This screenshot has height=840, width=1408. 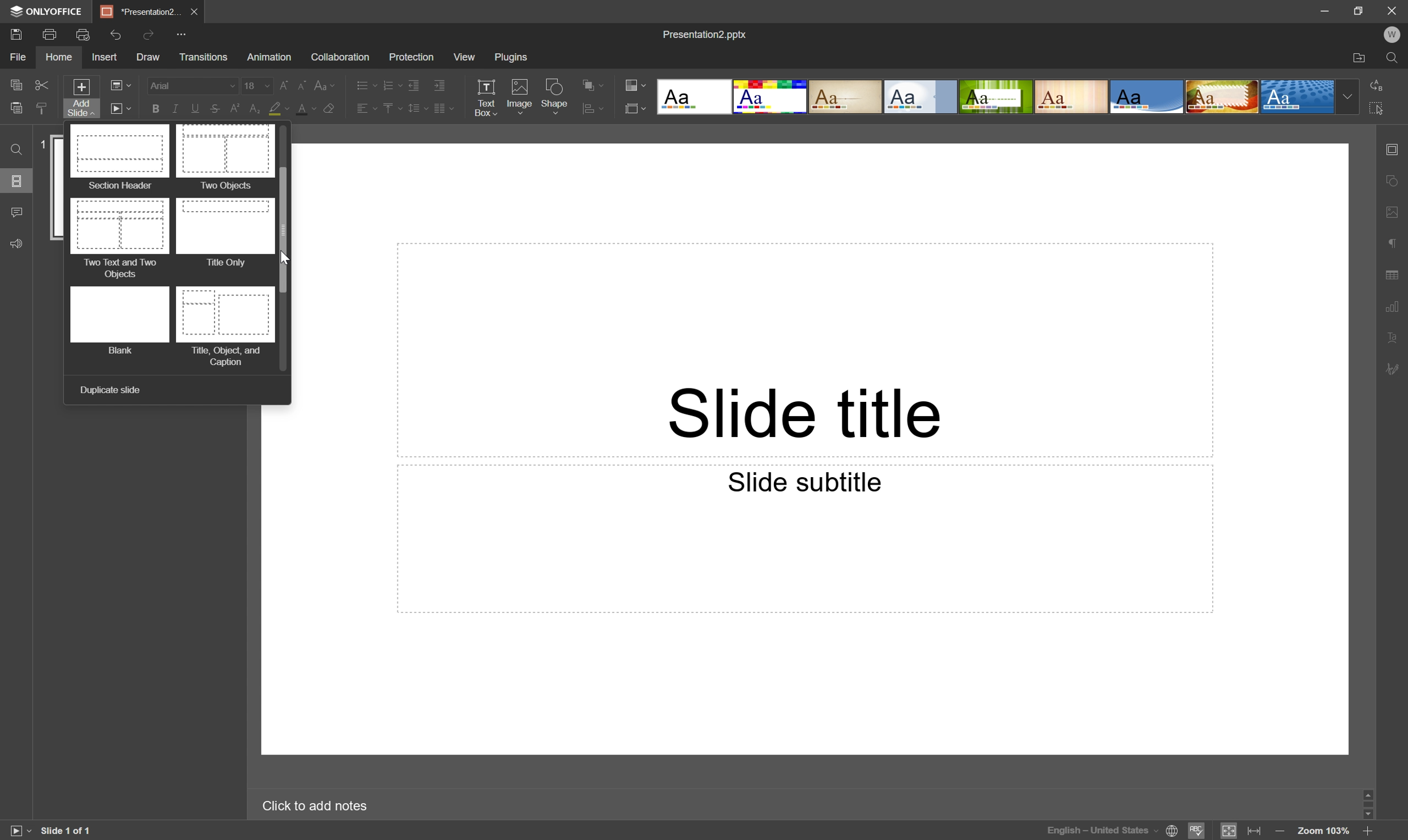 I want to click on W, so click(x=1391, y=32).